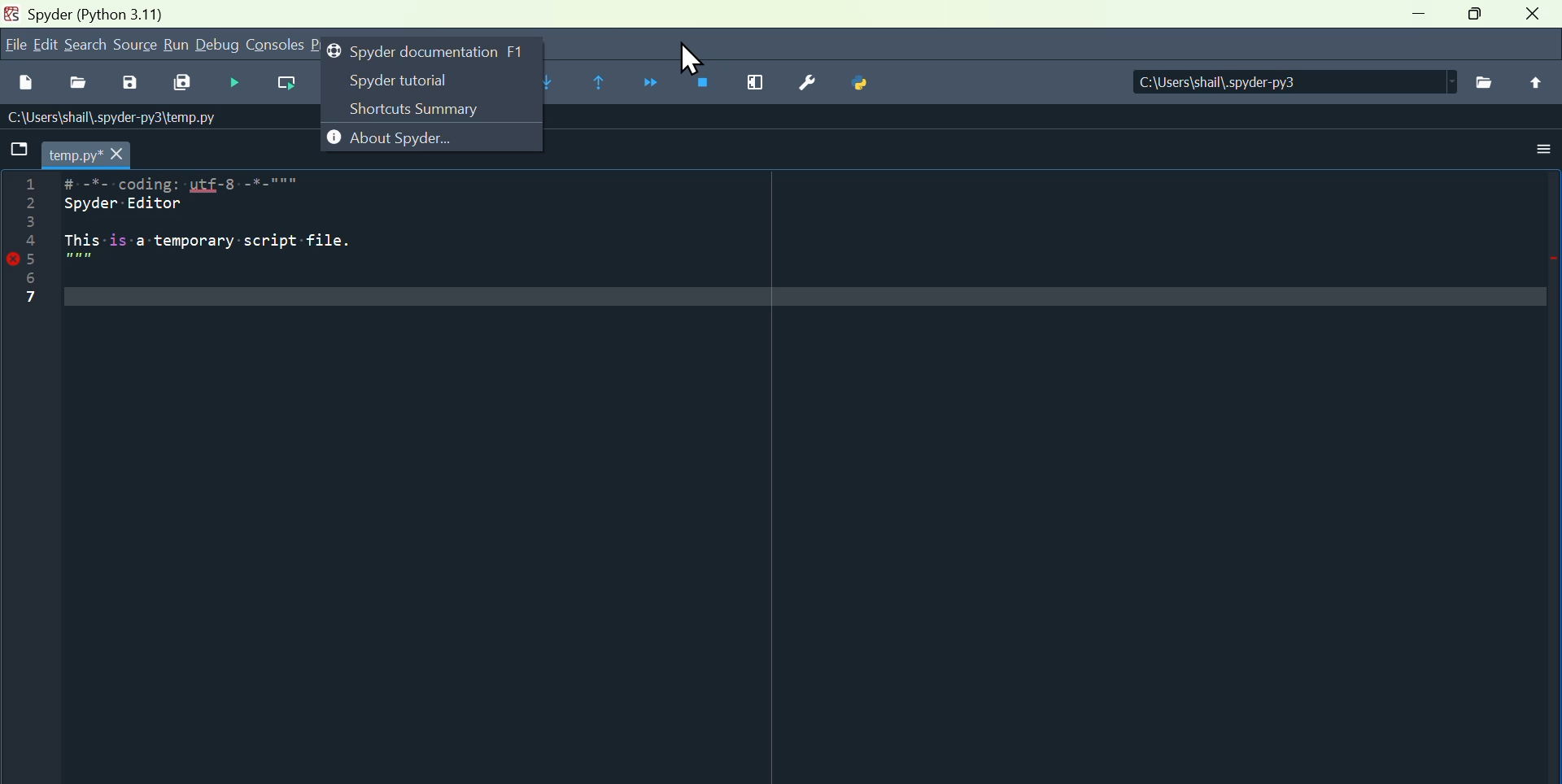  I want to click on Spyder (Python 3.11), so click(132, 13).